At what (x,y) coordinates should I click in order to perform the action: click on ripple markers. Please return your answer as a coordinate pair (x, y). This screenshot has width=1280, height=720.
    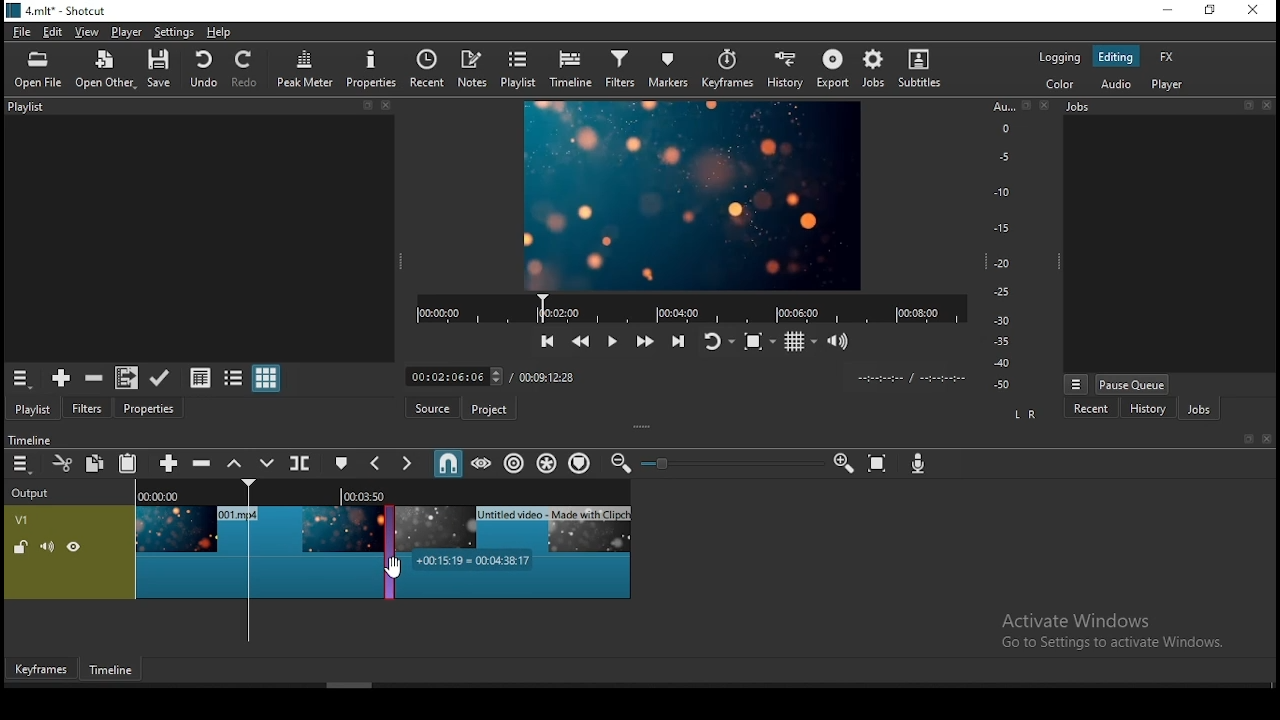
    Looking at the image, I should click on (580, 464).